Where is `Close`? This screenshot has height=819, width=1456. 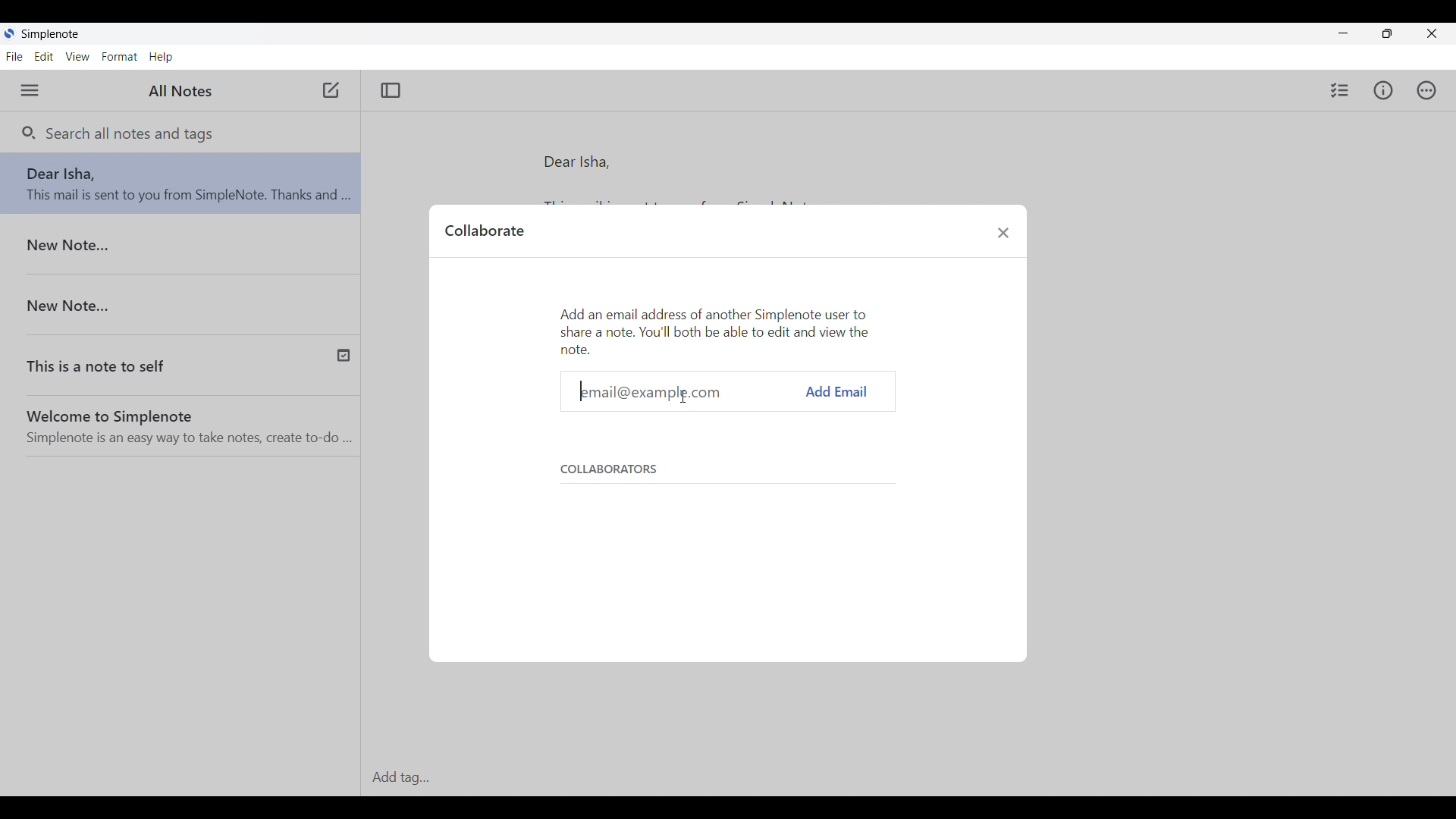
Close is located at coordinates (1004, 232).